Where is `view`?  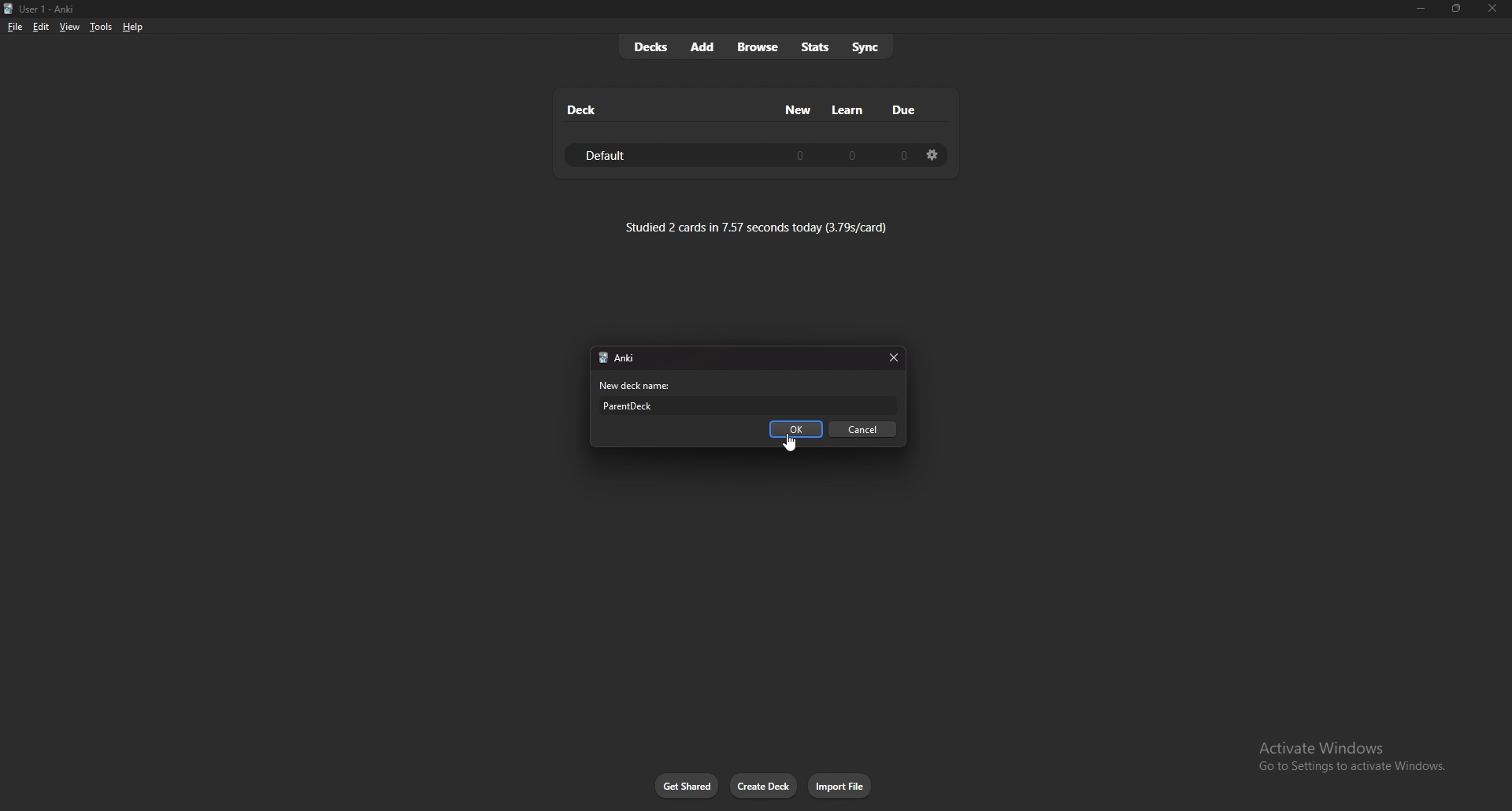
view is located at coordinates (69, 26).